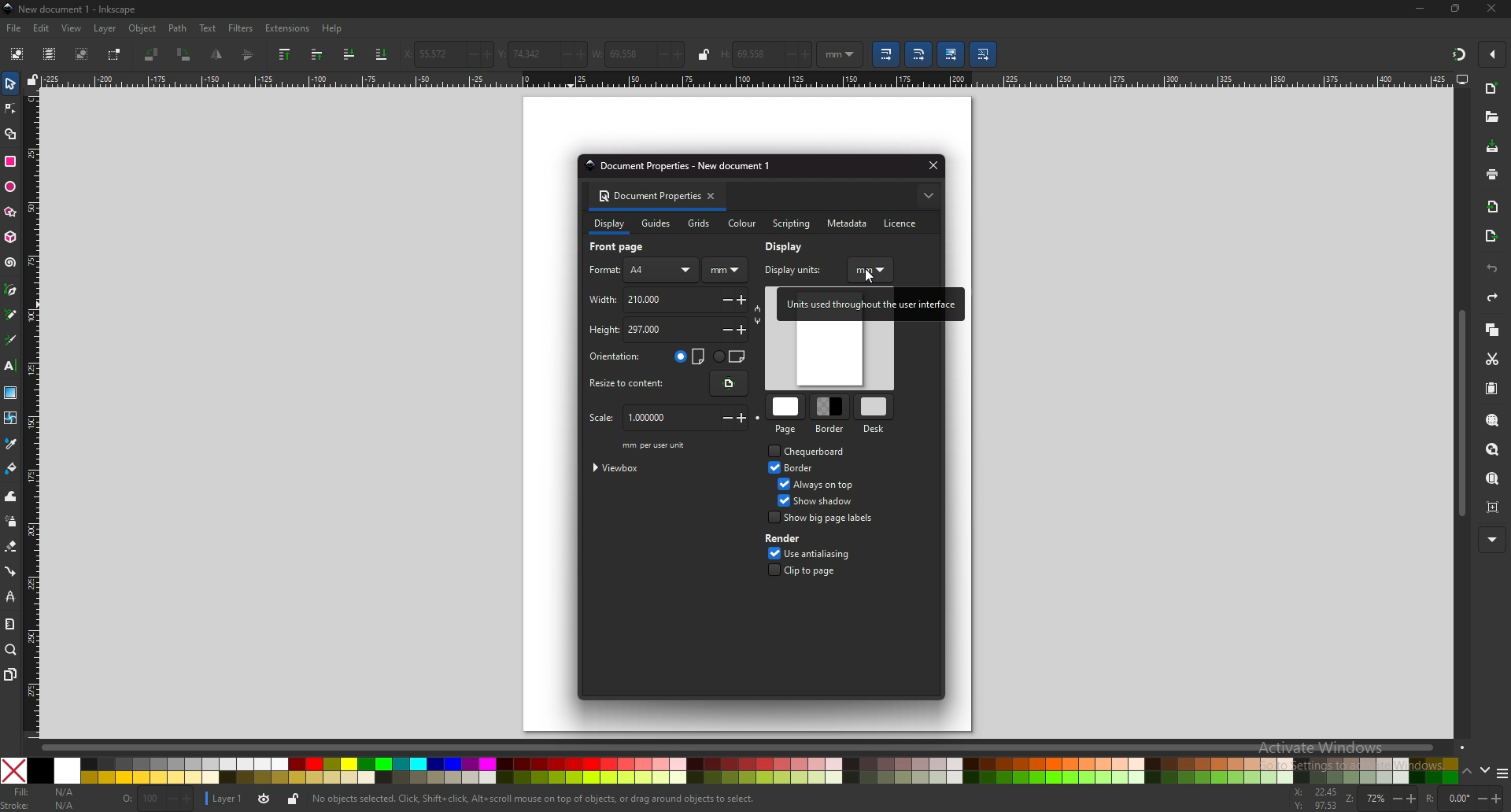 The height and width of the screenshot is (812, 1511). Describe the element at coordinates (153, 54) in the screenshot. I see `rotate 90 ccw` at that location.